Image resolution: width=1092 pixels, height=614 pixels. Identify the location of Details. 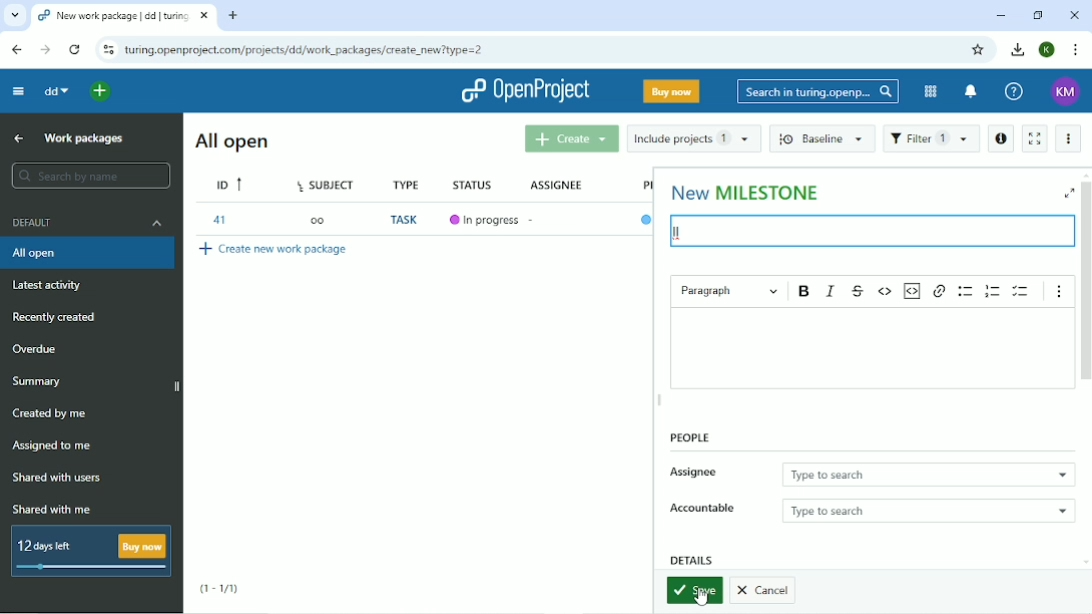
(692, 559).